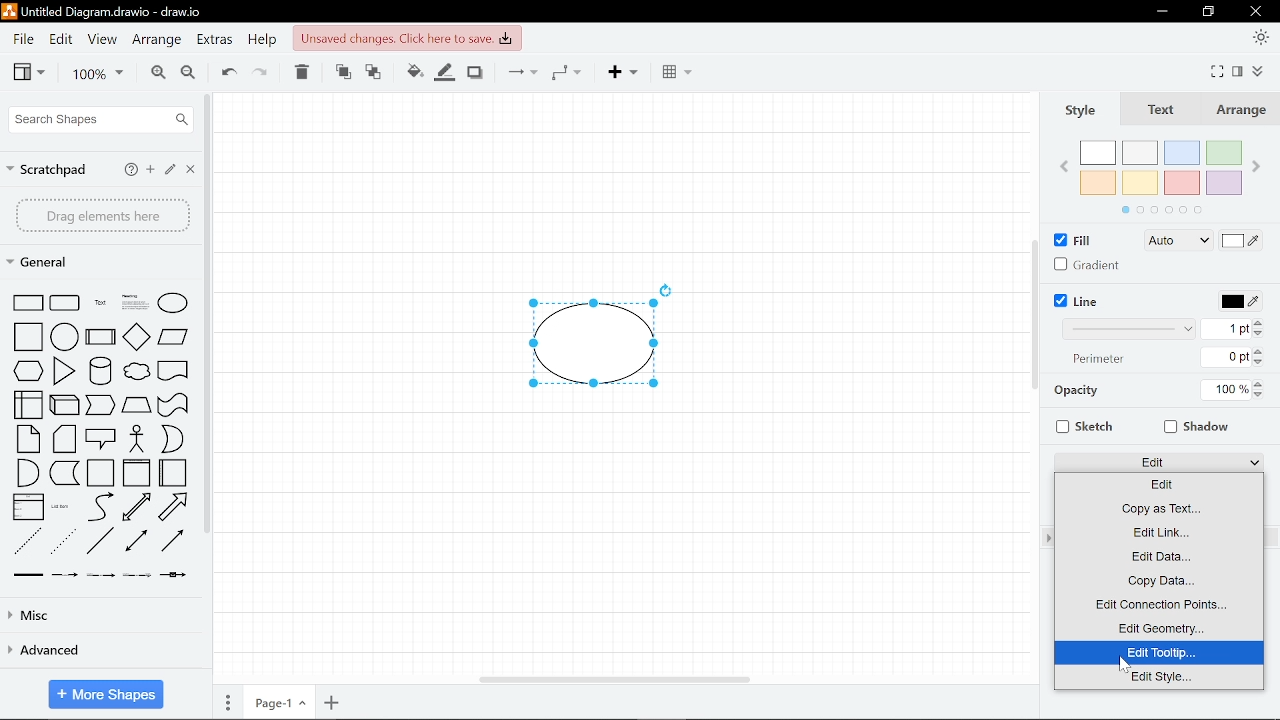 The height and width of the screenshot is (720, 1280). Describe the element at coordinates (412, 73) in the screenshot. I see `Fill colour` at that location.